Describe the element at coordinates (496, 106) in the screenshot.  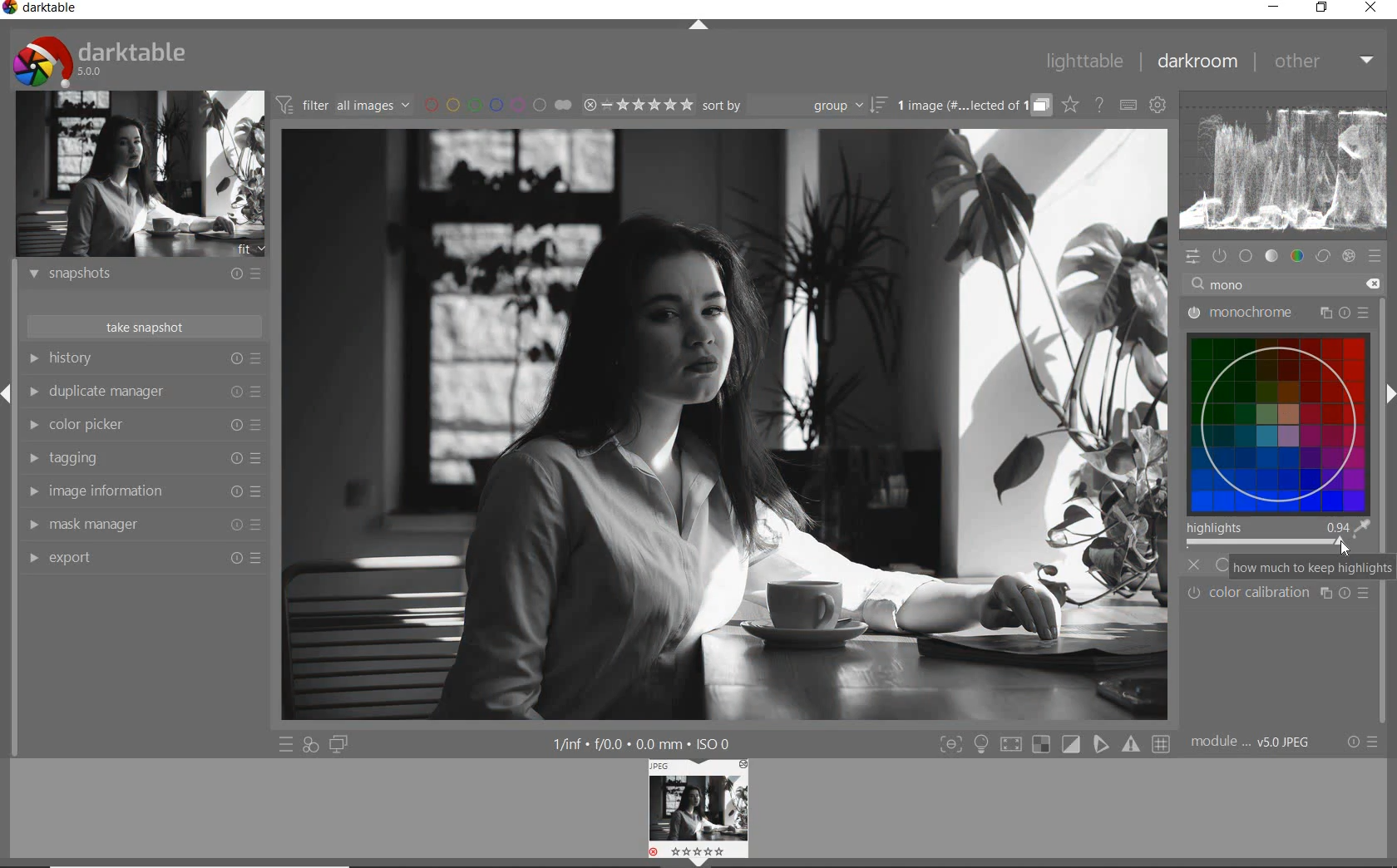
I see `filter images by color labels` at that location.